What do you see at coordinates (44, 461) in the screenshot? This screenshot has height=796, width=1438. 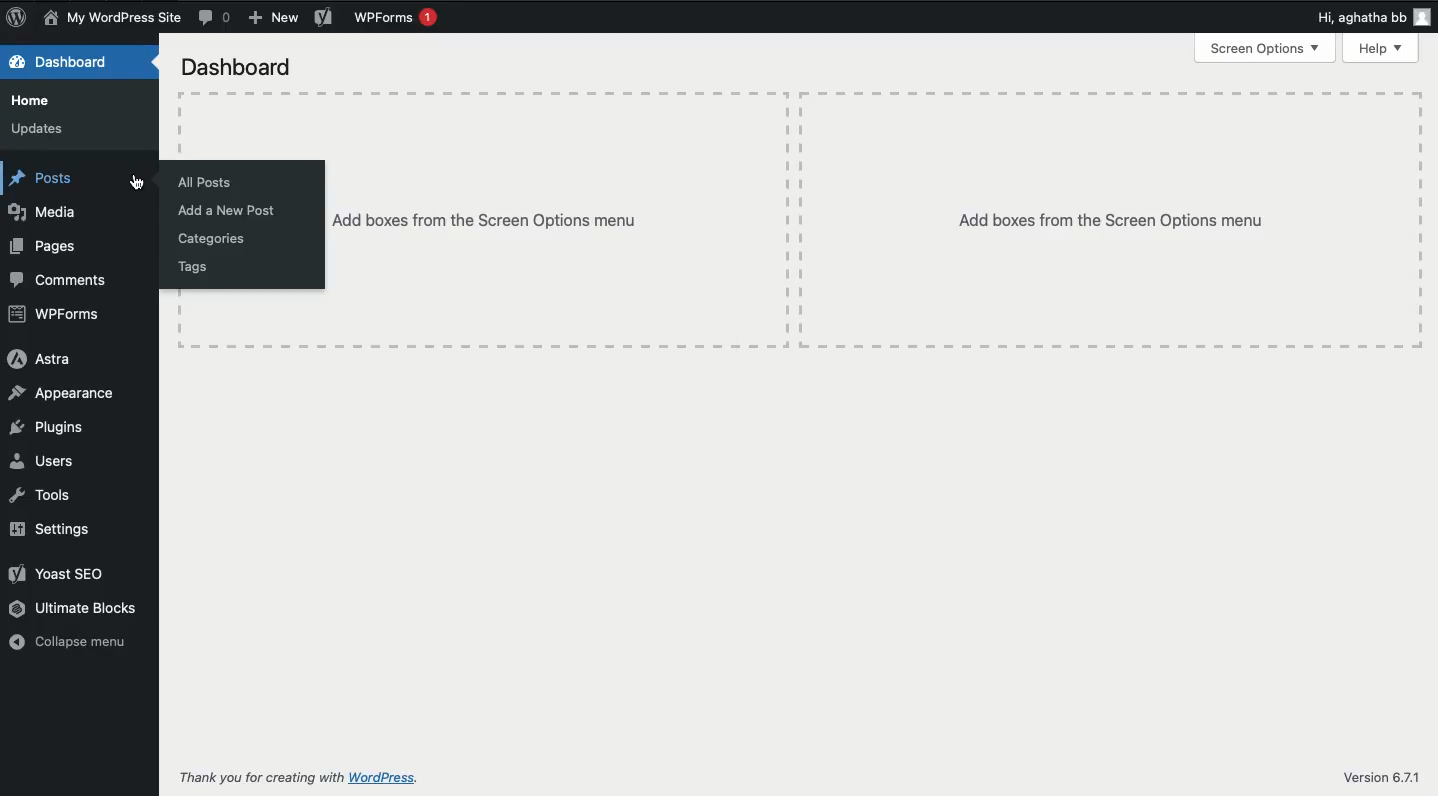 I see `Users` at bounding box center [44, 461].